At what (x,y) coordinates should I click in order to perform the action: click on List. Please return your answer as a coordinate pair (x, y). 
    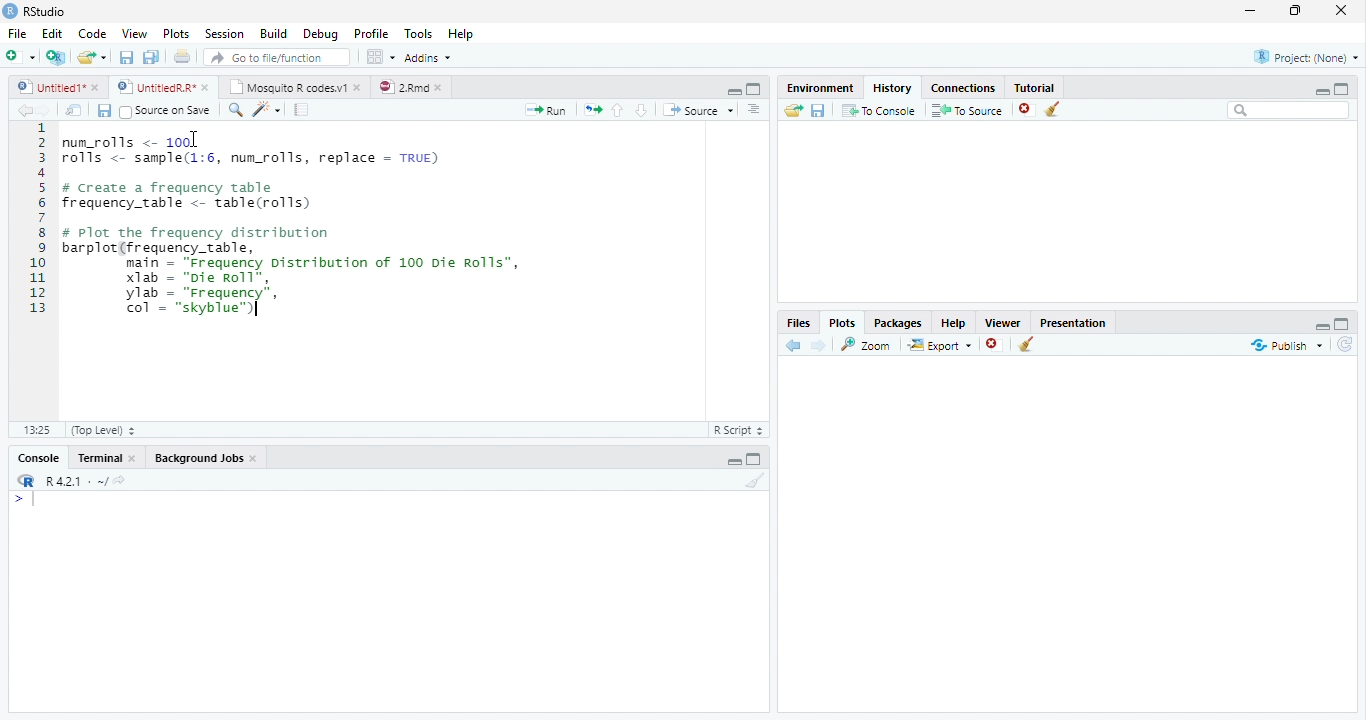
    Looking at the image, I should click on (756, 111).